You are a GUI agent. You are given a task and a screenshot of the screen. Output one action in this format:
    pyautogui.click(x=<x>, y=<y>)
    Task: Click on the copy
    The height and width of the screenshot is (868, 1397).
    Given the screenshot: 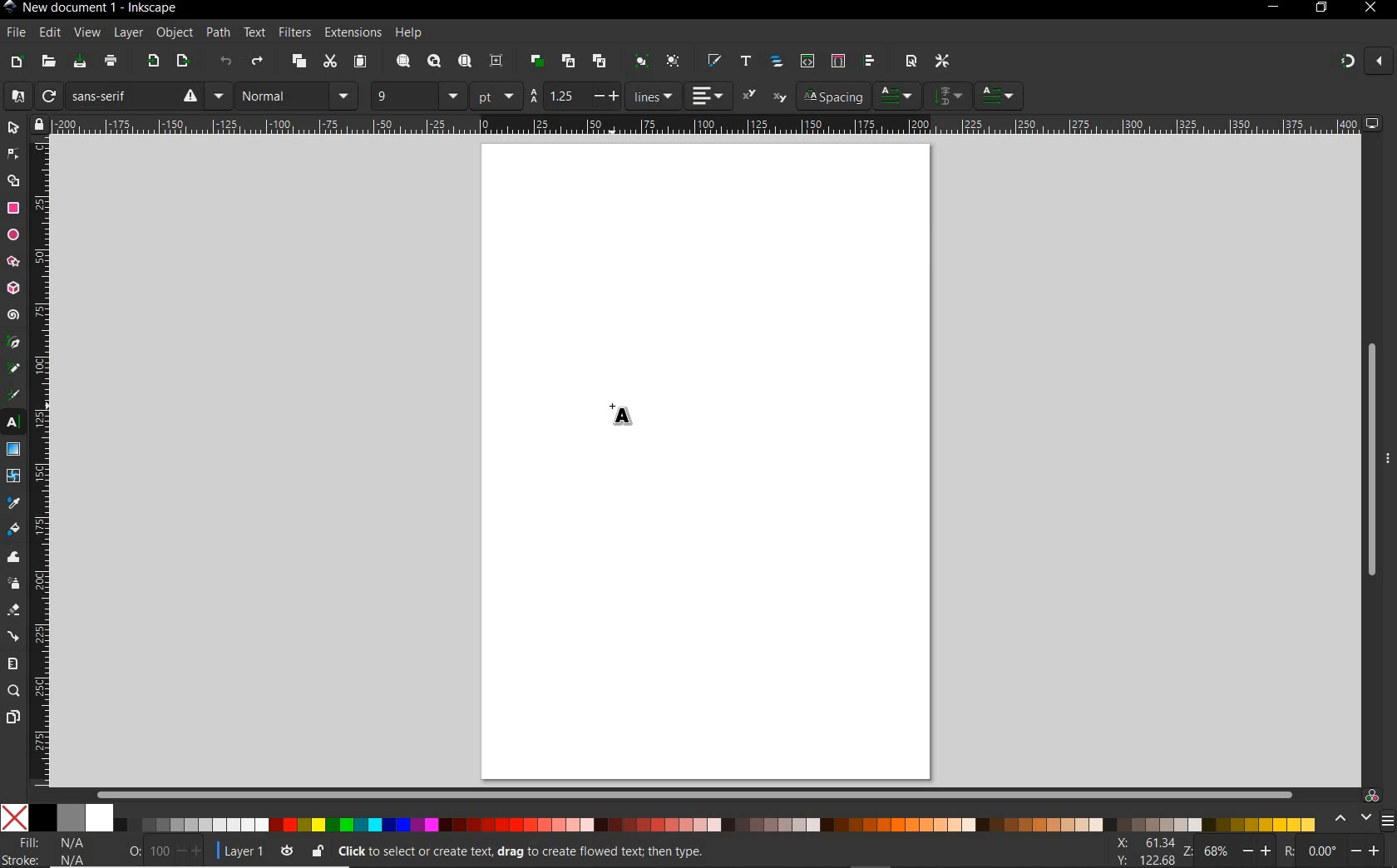 What is the action you would take?
    pyautogui.click(x=299, y=62)
    